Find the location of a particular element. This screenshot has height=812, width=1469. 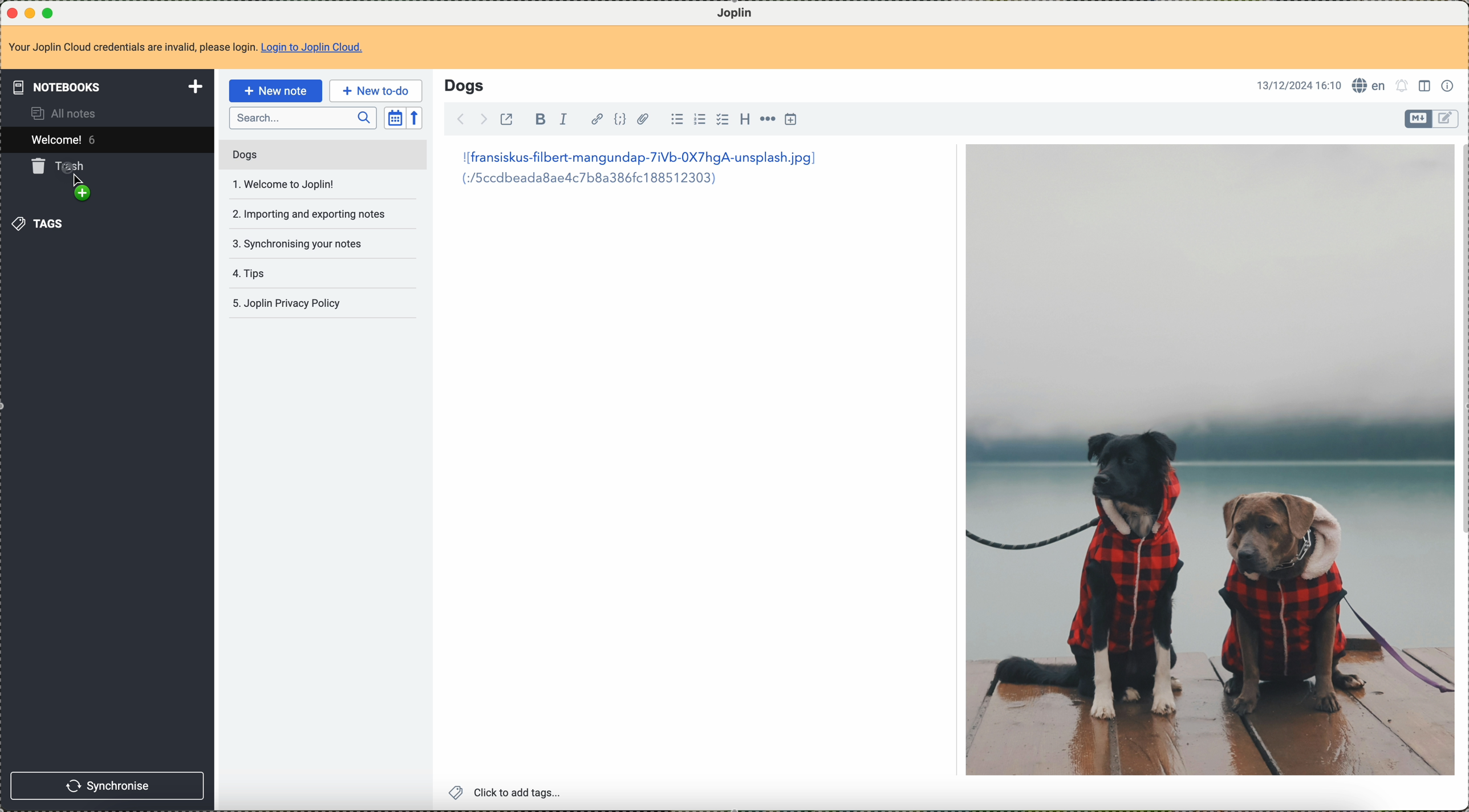

Joplin is located at coordinates (733, 12).